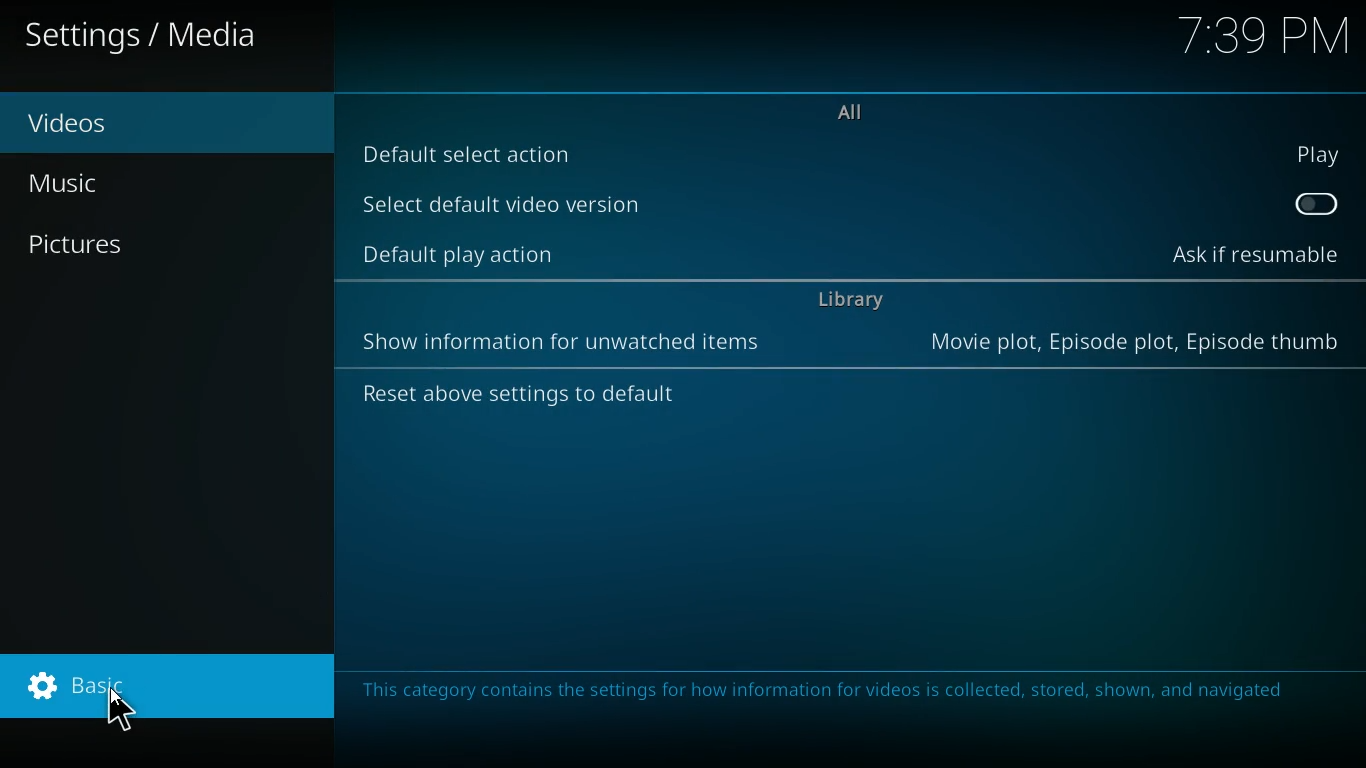  Describe the element at coordinates (484, 157) in the screenshot. I see `default select action` at that location.